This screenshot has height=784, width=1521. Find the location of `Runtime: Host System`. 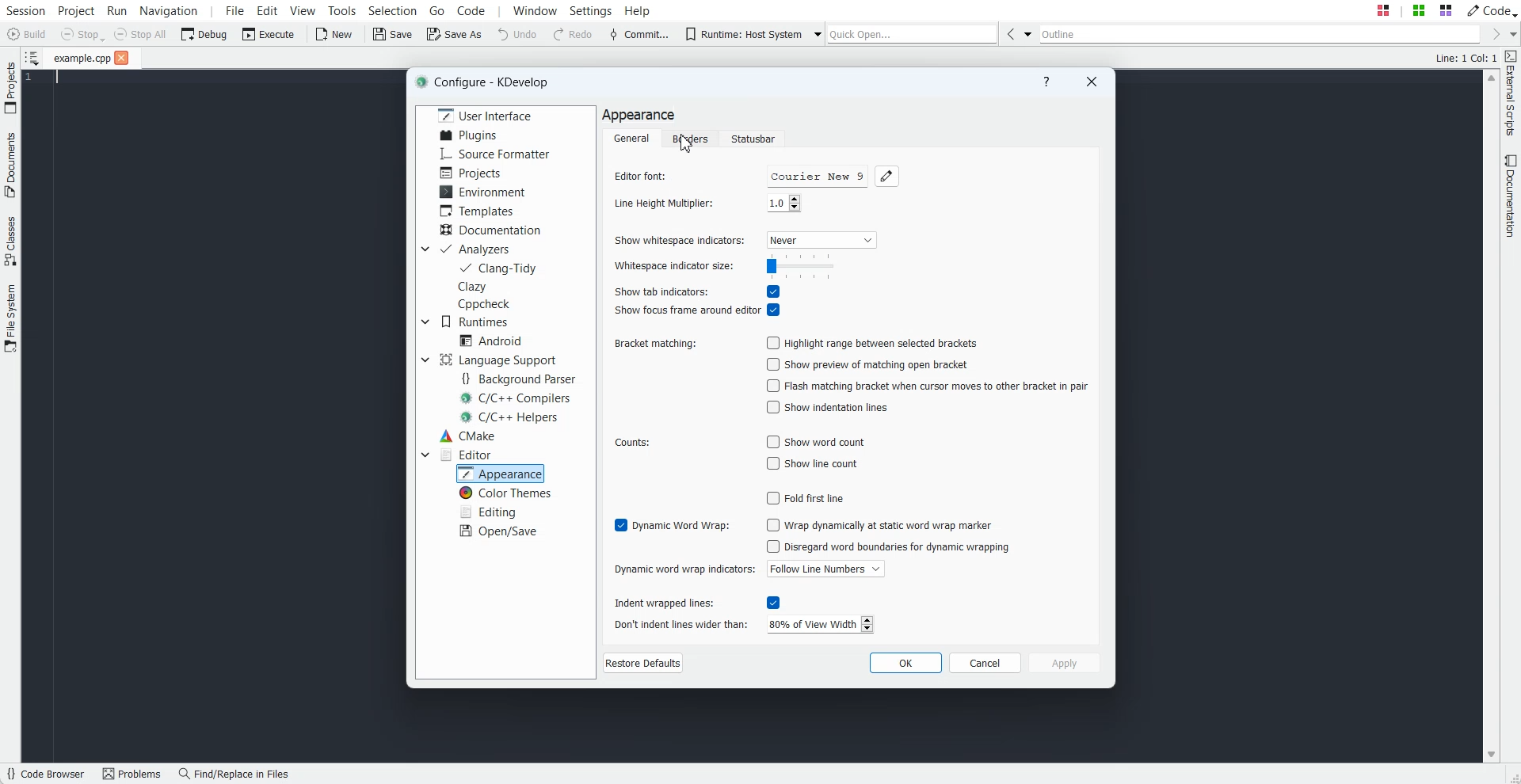

Runtime: Host System is located at coordinates (741, 34).